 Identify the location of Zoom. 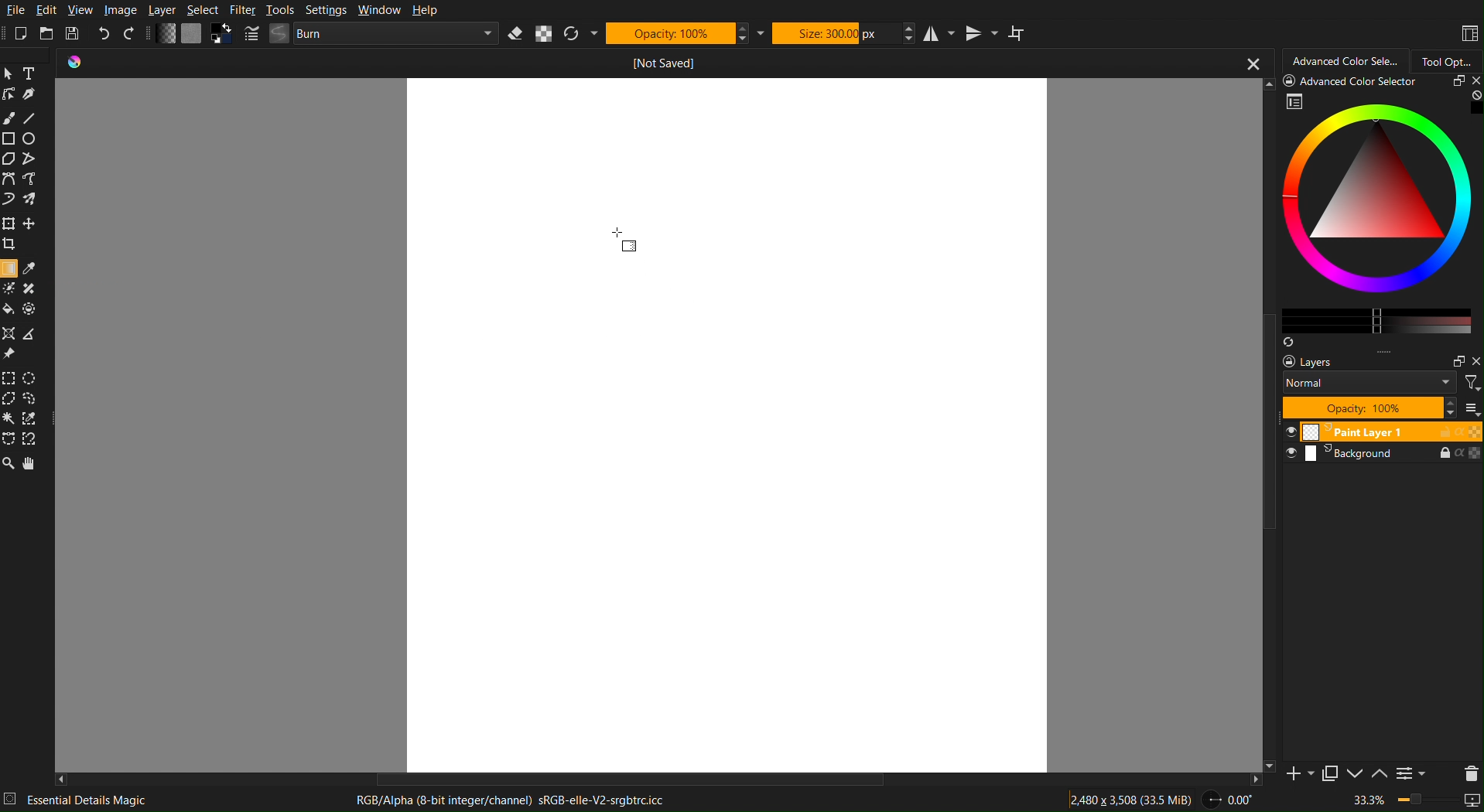
(9, 464).